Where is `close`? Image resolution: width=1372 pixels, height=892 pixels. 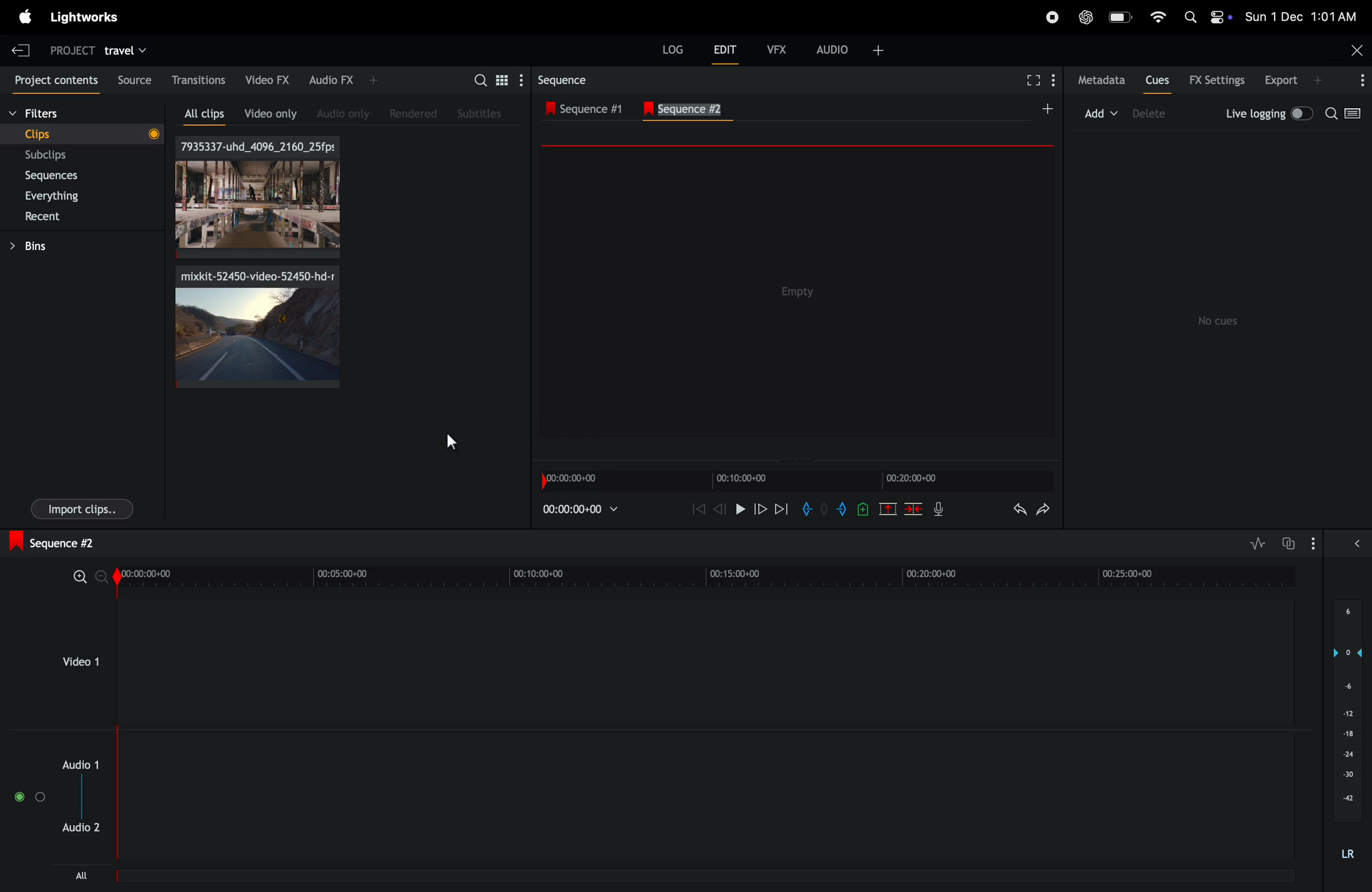
close is located at coordinates (1357, 48).